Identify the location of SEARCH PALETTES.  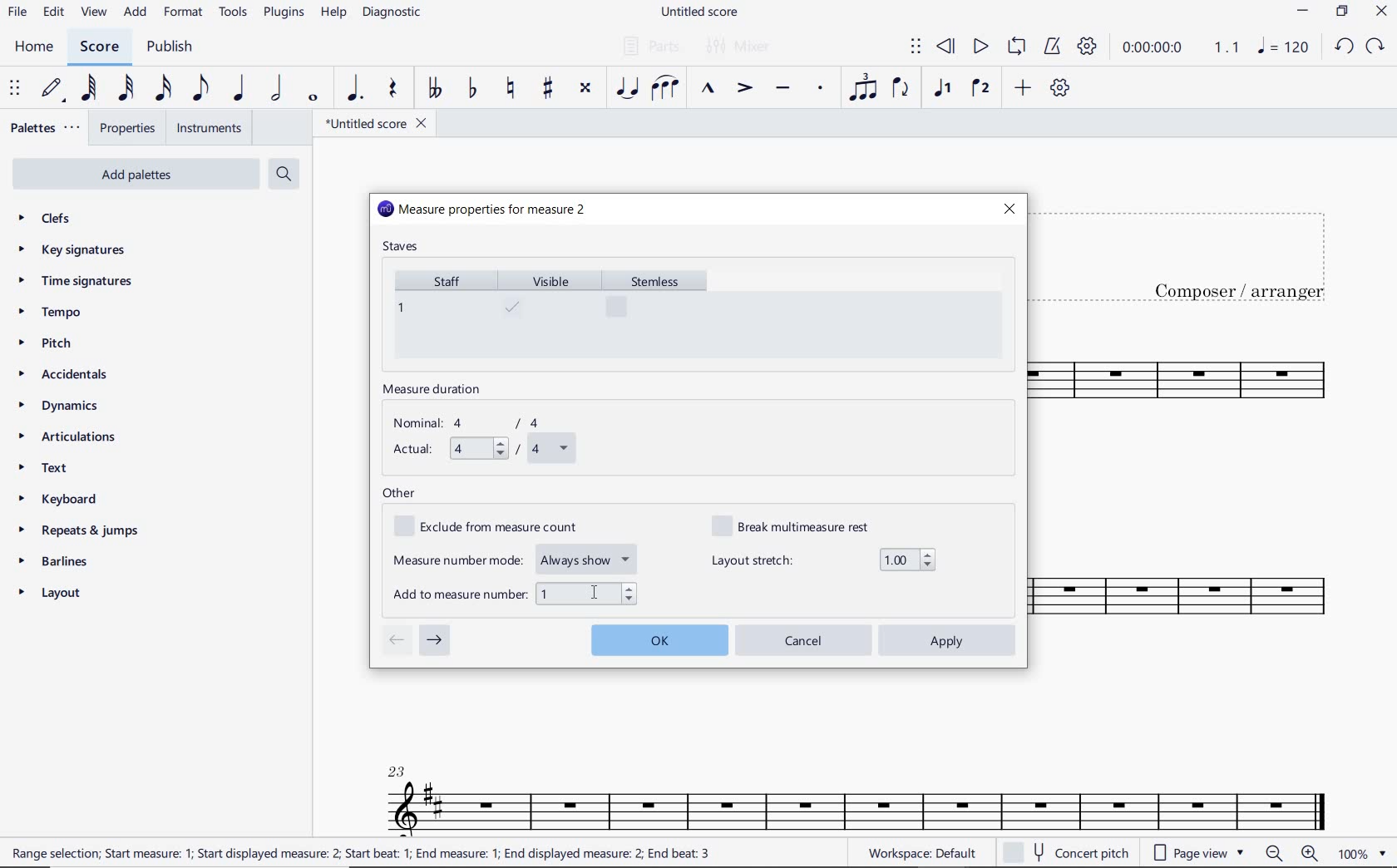
(286, 175).